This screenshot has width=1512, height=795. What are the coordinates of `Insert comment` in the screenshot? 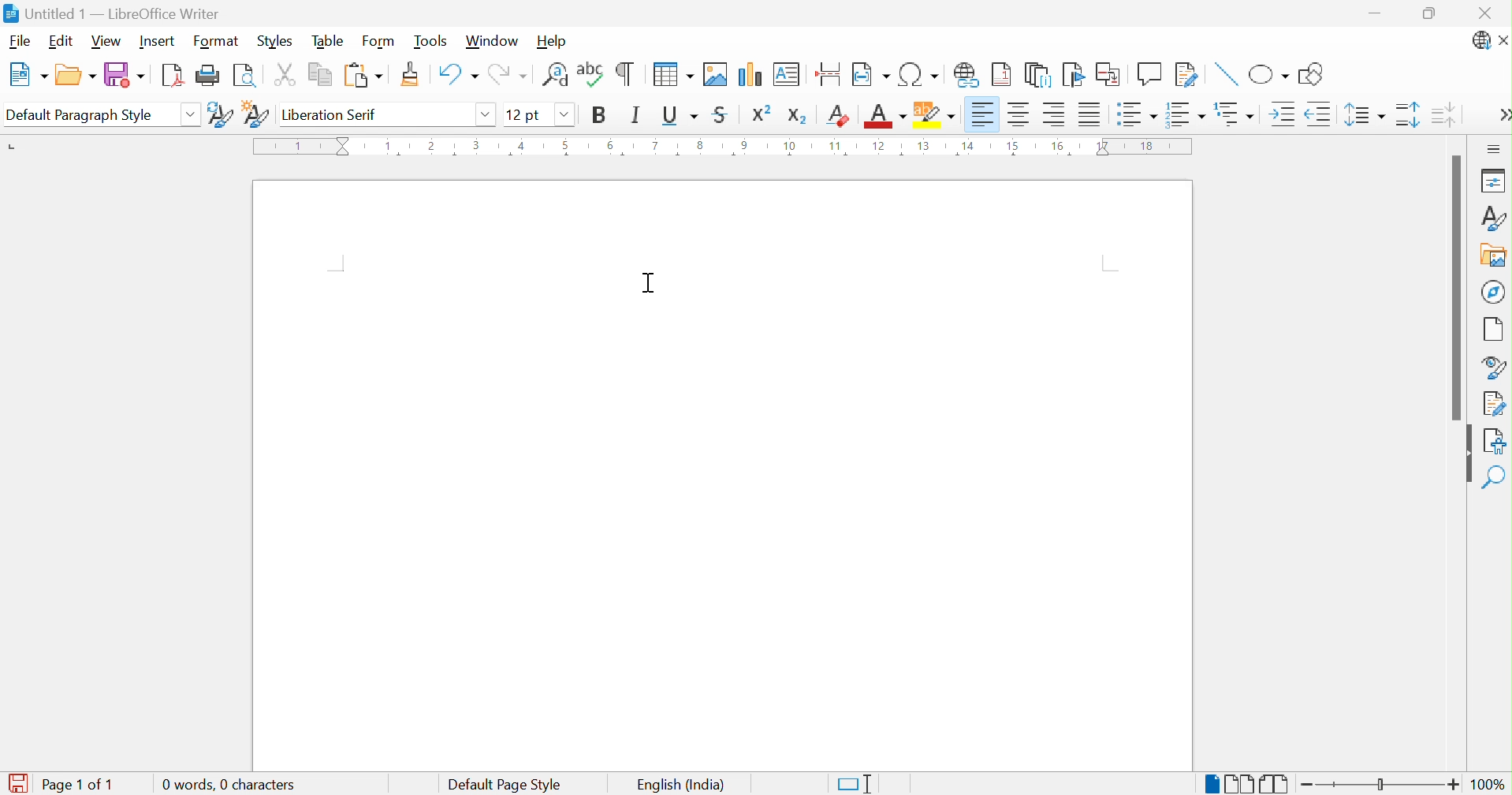 It's located at (1151, 73).